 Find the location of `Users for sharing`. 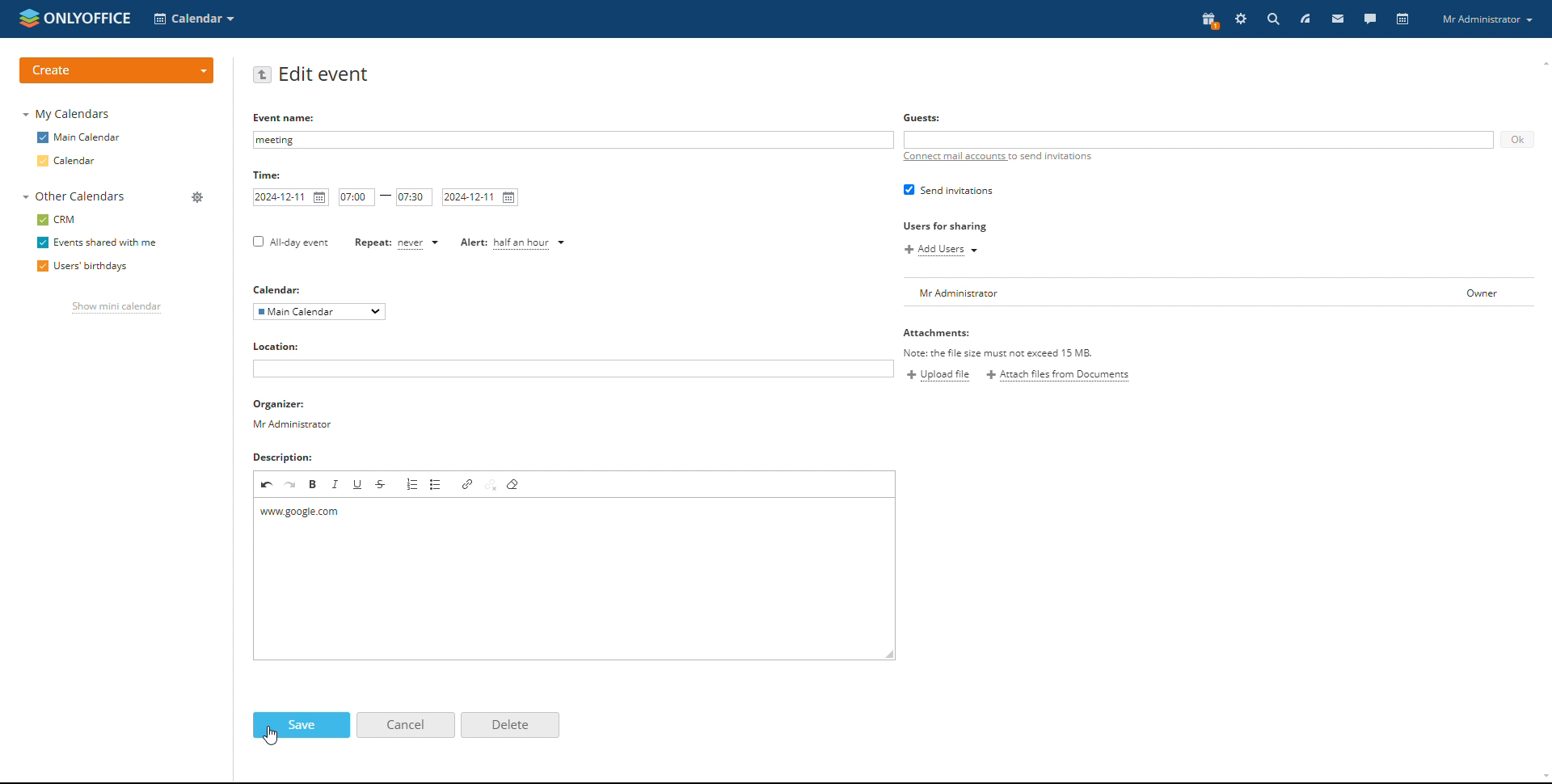

Users for sharing is located at coordinates (943, 227).